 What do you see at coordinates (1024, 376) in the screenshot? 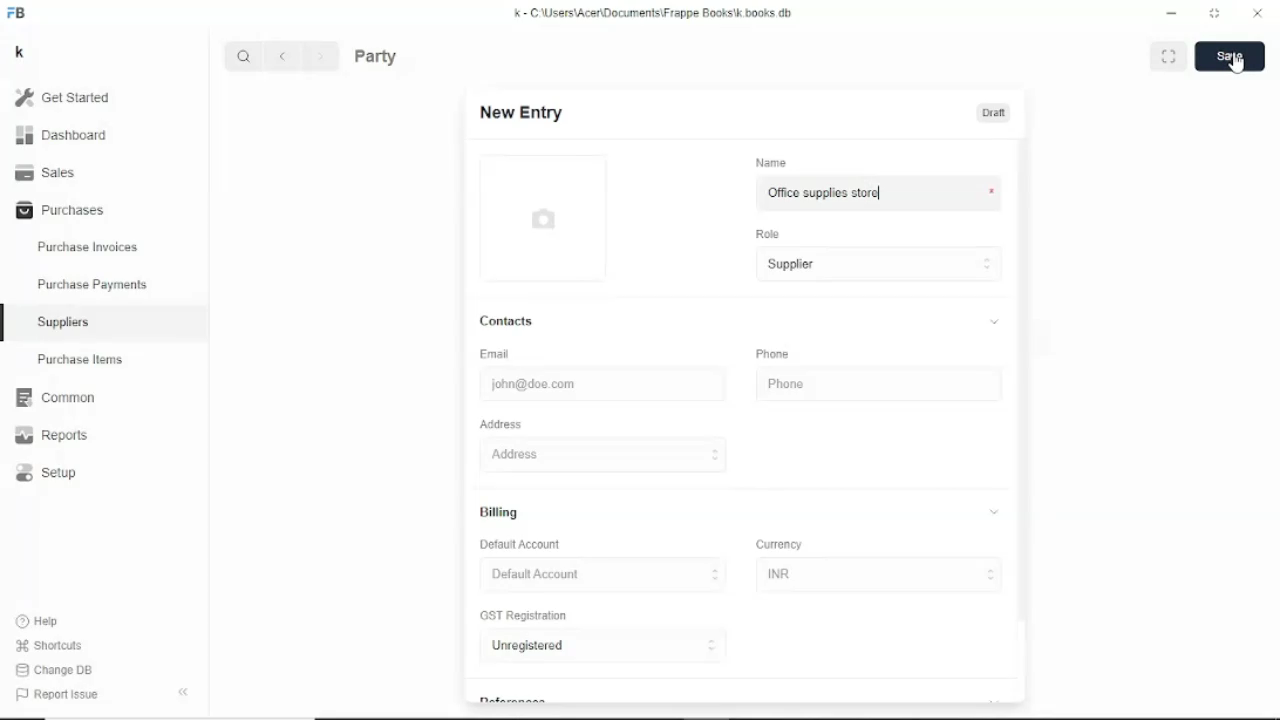
I see `Vertical scrollbar` at bounding box center [1024, 376].